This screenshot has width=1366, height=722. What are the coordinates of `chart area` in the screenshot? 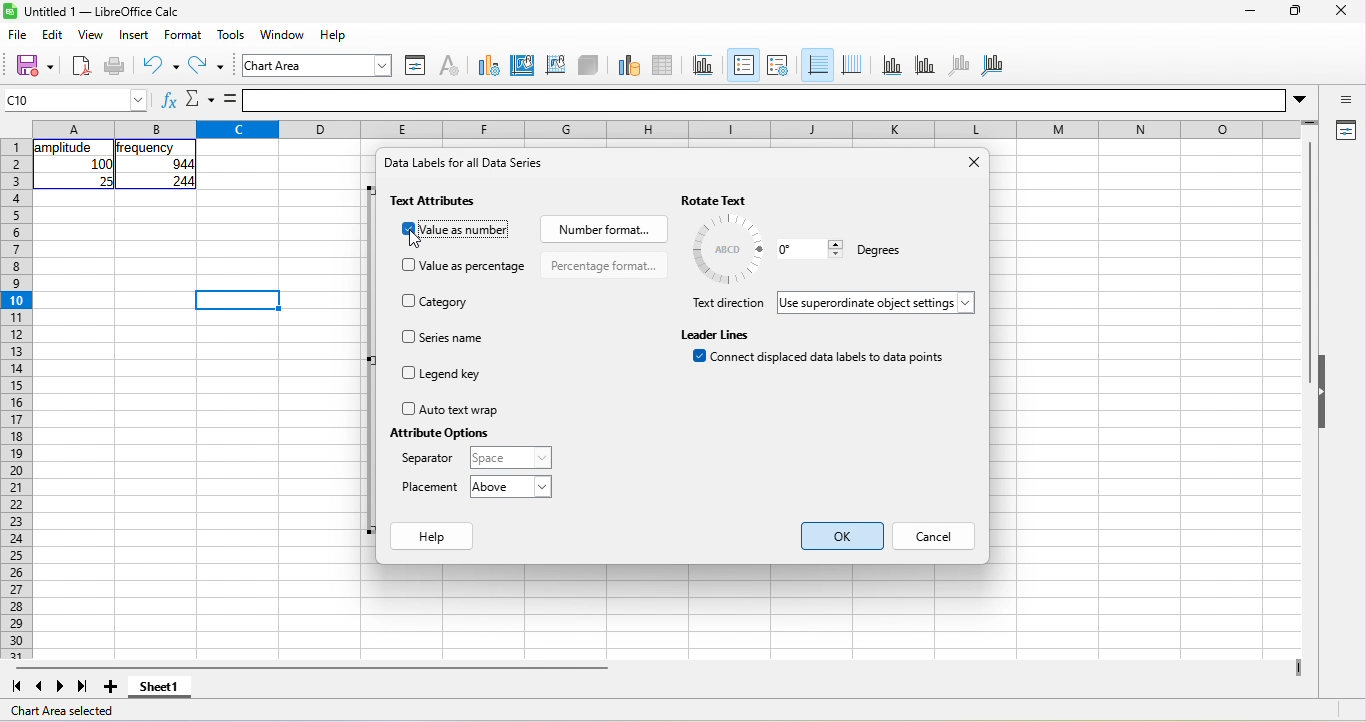 It's located at (523, 63).